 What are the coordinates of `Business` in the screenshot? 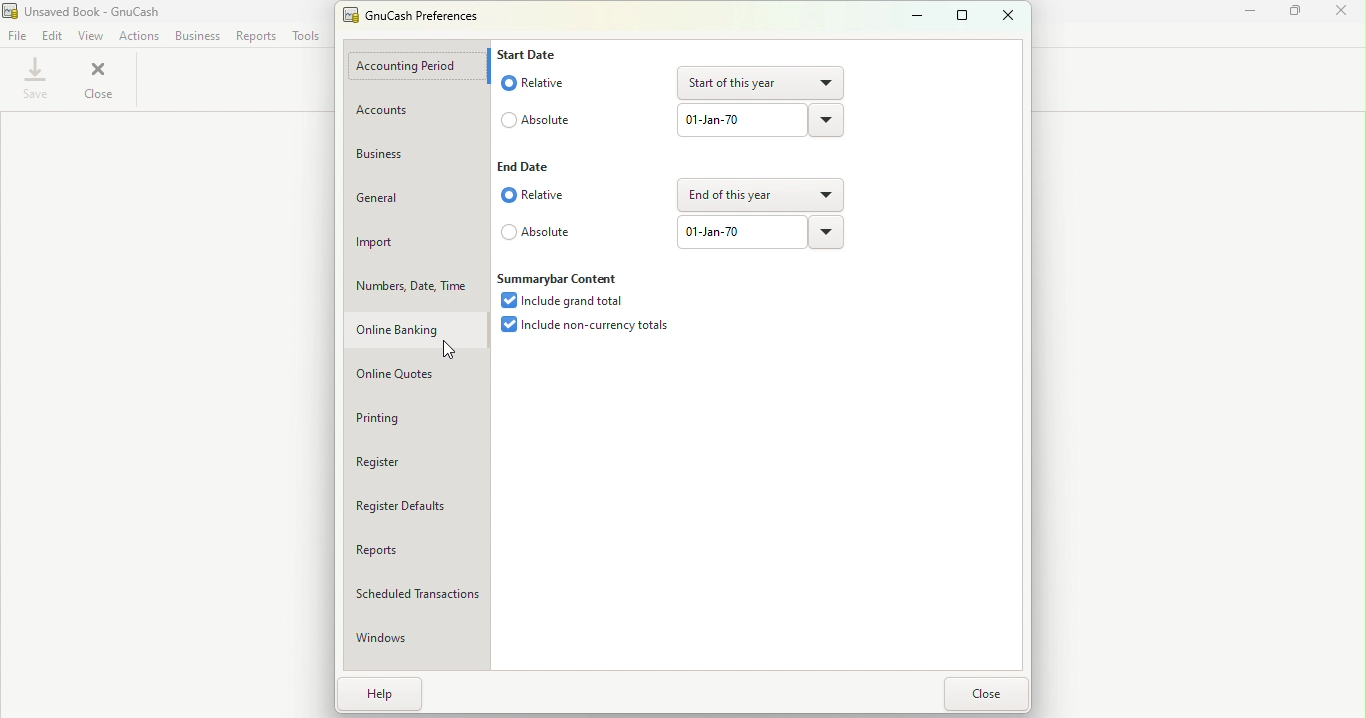 It's located at (402, 154).